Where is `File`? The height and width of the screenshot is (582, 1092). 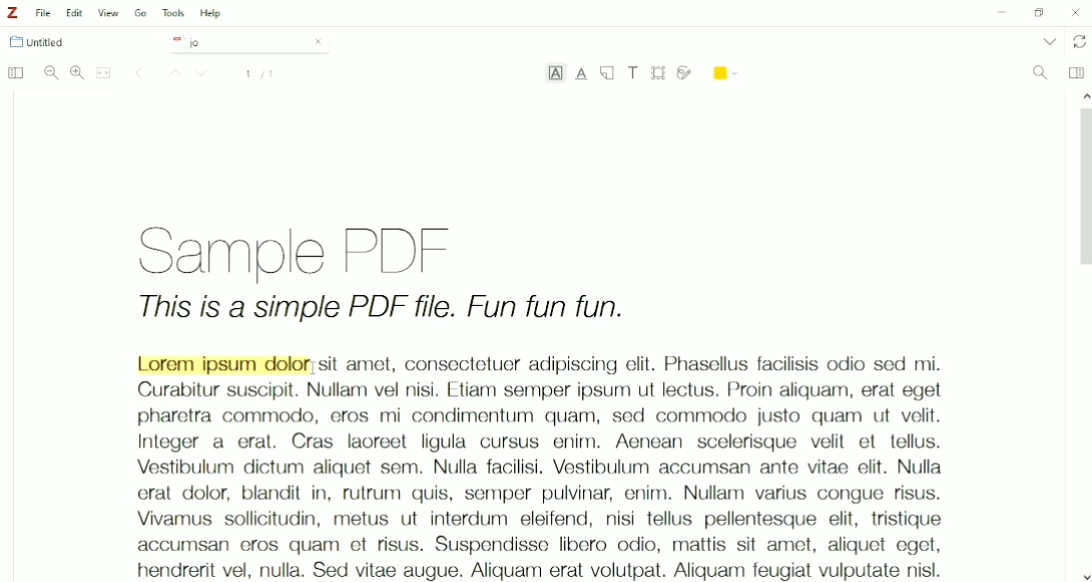
File is located at coordinates (44, 13).